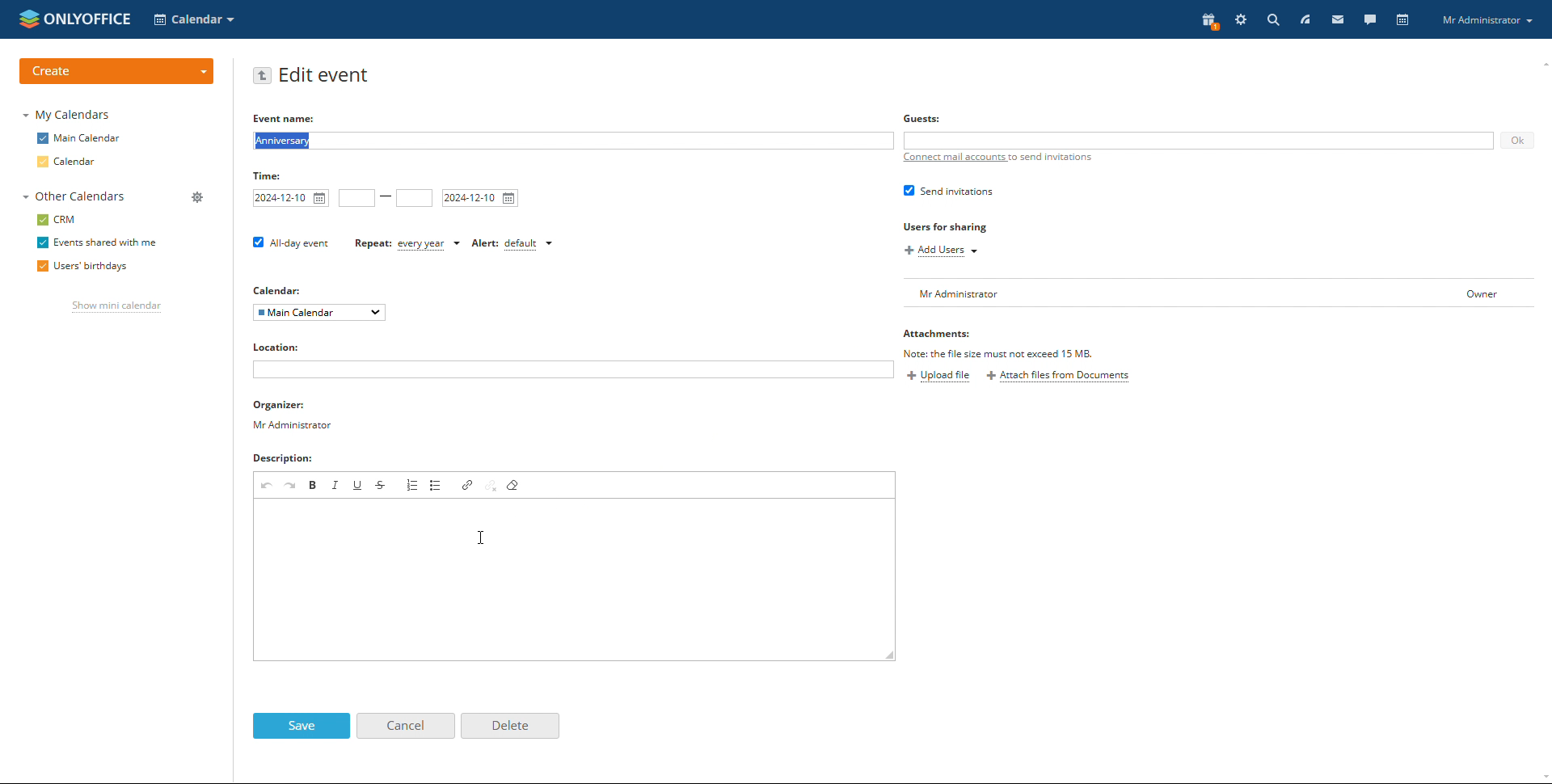  What do you see at coordinates (116, 72) in the screenshot?
I see `create` at bounding box center [116, 72].